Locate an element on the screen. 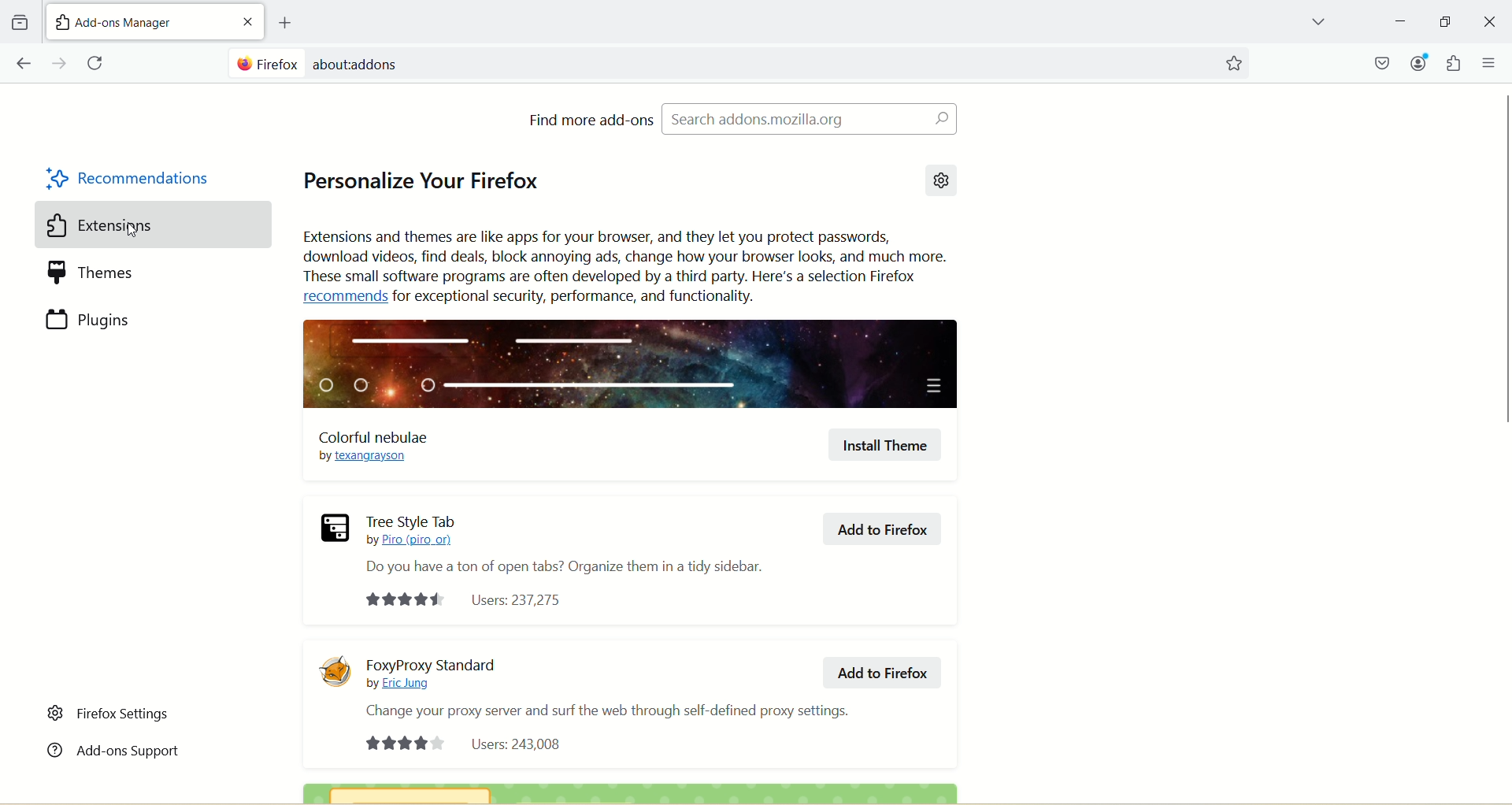 This screenshot has width=1512, height=805. Close is located at coordinates (247, 21).